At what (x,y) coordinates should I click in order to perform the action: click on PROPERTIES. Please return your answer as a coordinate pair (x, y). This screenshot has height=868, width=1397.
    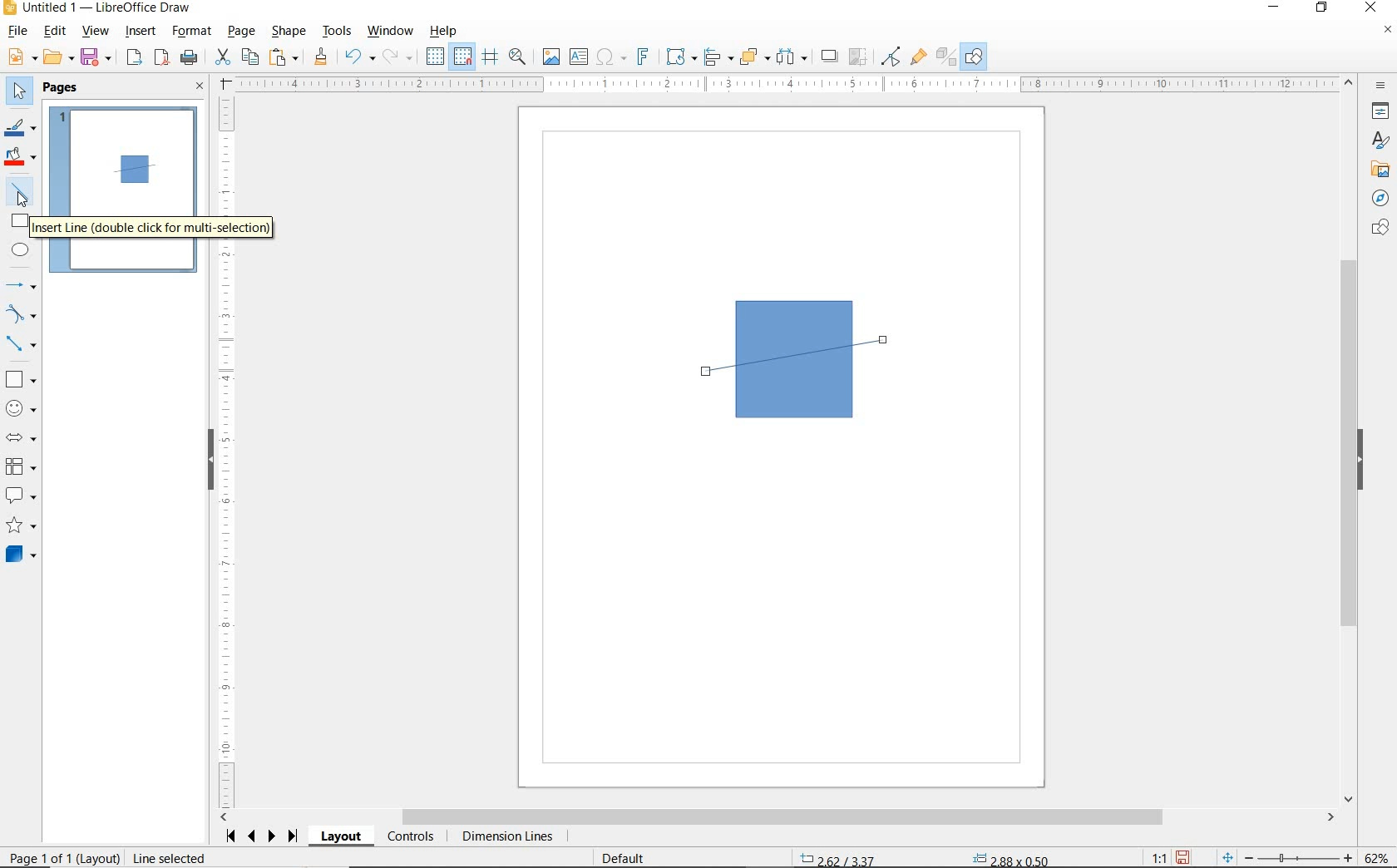
    Looking at the image, I should click on (1378, 113).